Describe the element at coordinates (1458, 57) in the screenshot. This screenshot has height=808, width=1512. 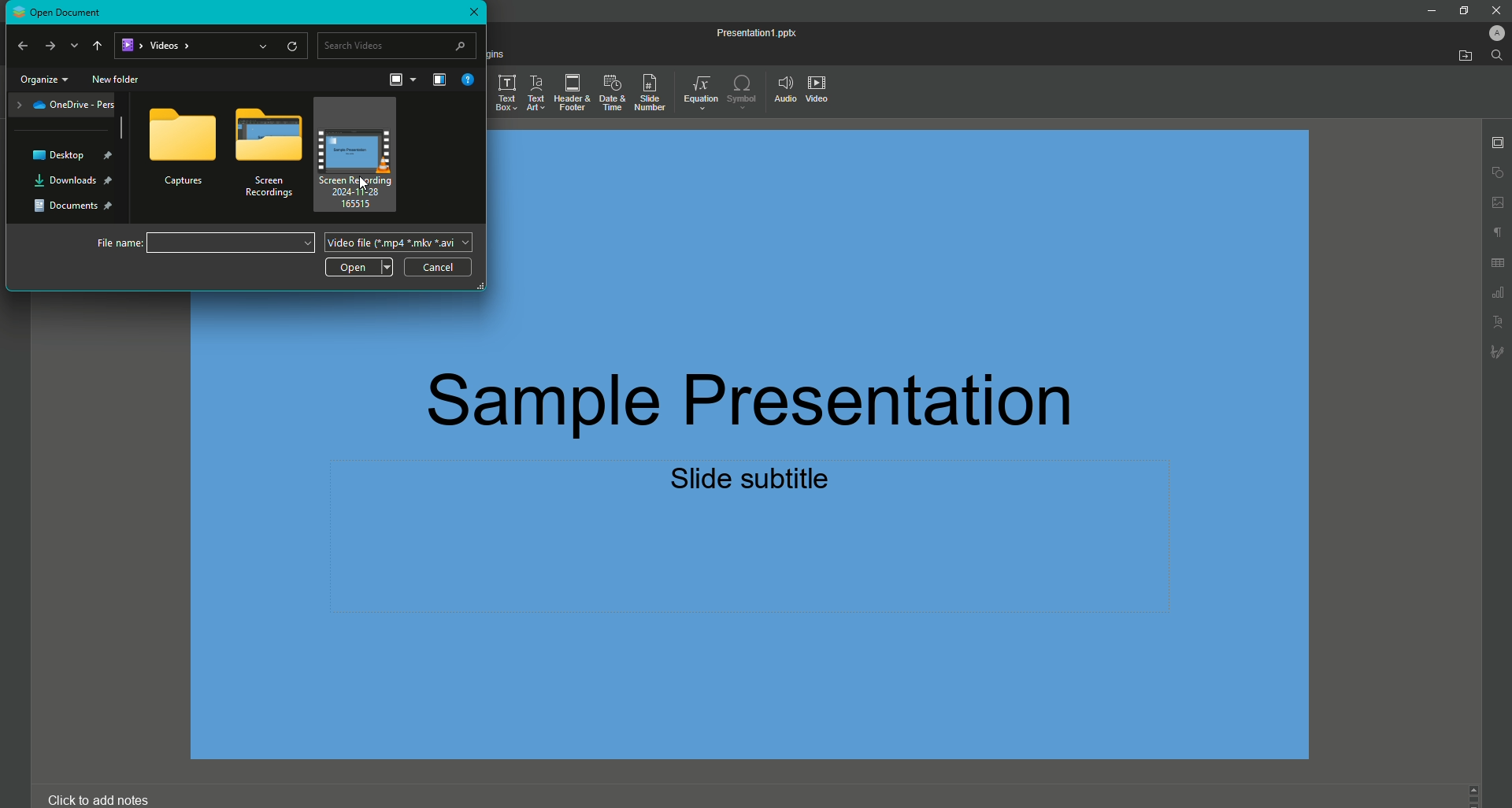
I see `Open From File` at that location.